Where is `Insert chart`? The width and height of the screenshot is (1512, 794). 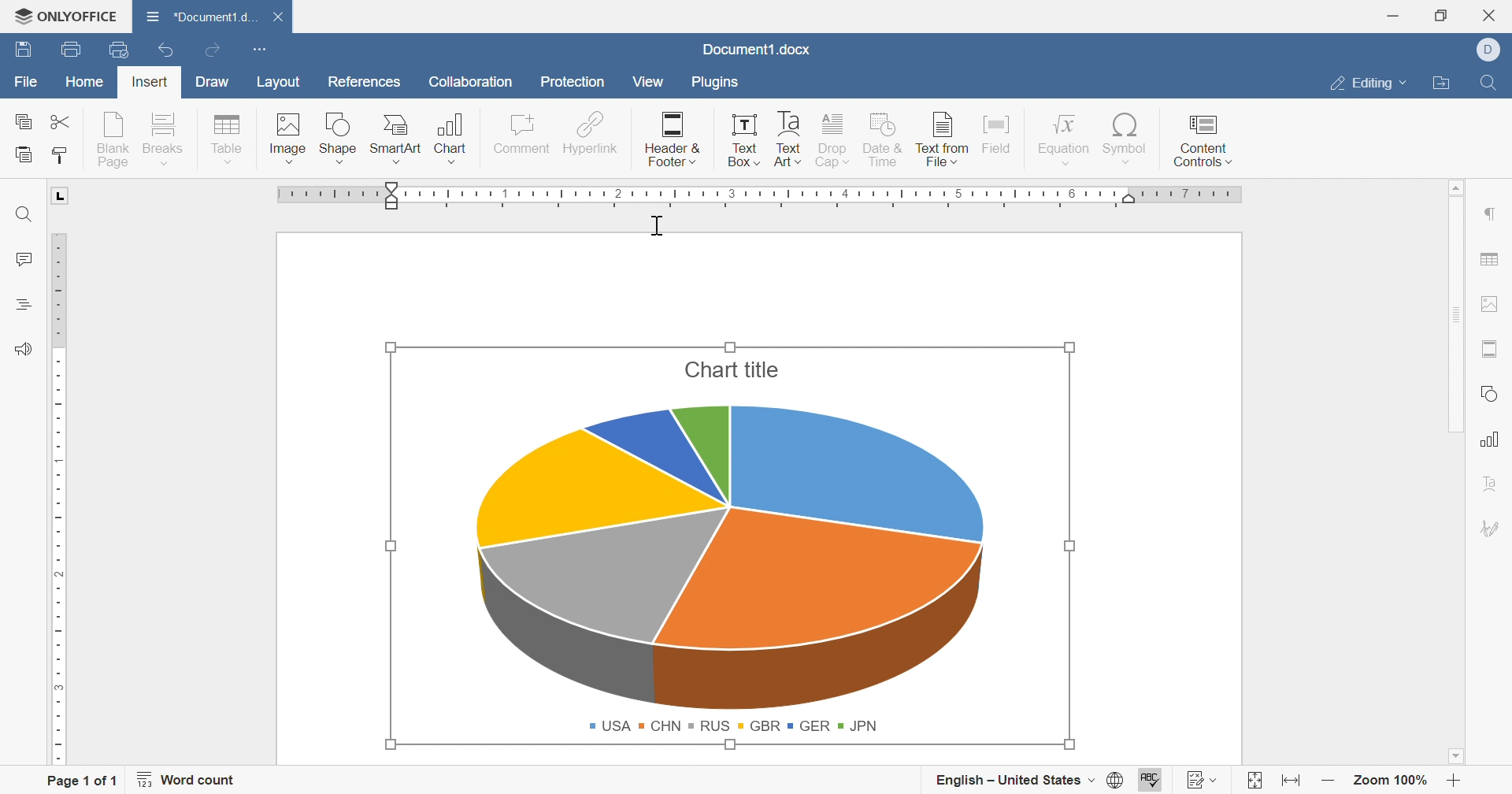 Insert chart is located at coordinates (450, 140).